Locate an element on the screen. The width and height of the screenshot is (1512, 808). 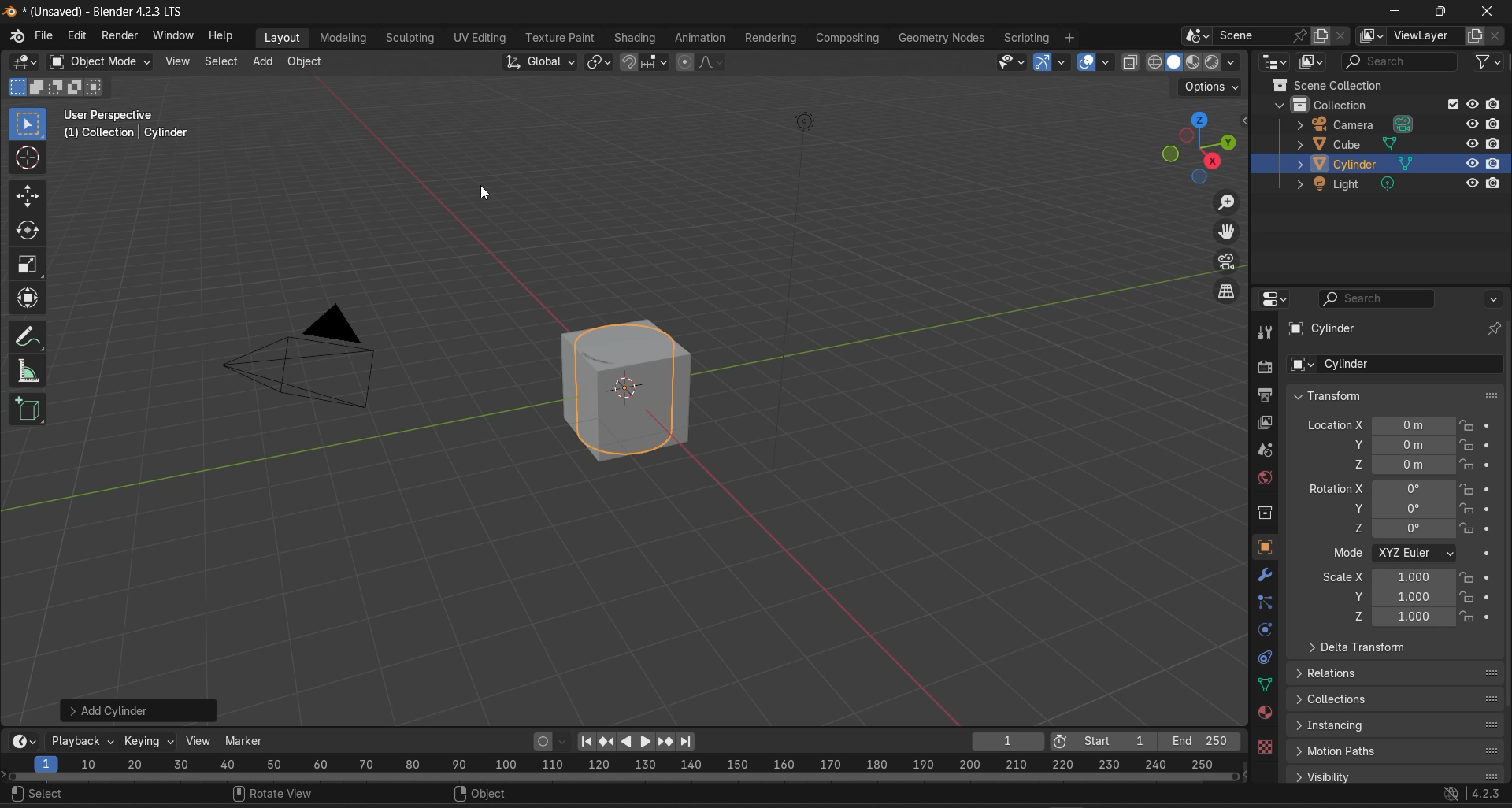
rotation order is located at coordinates (1418, 554).